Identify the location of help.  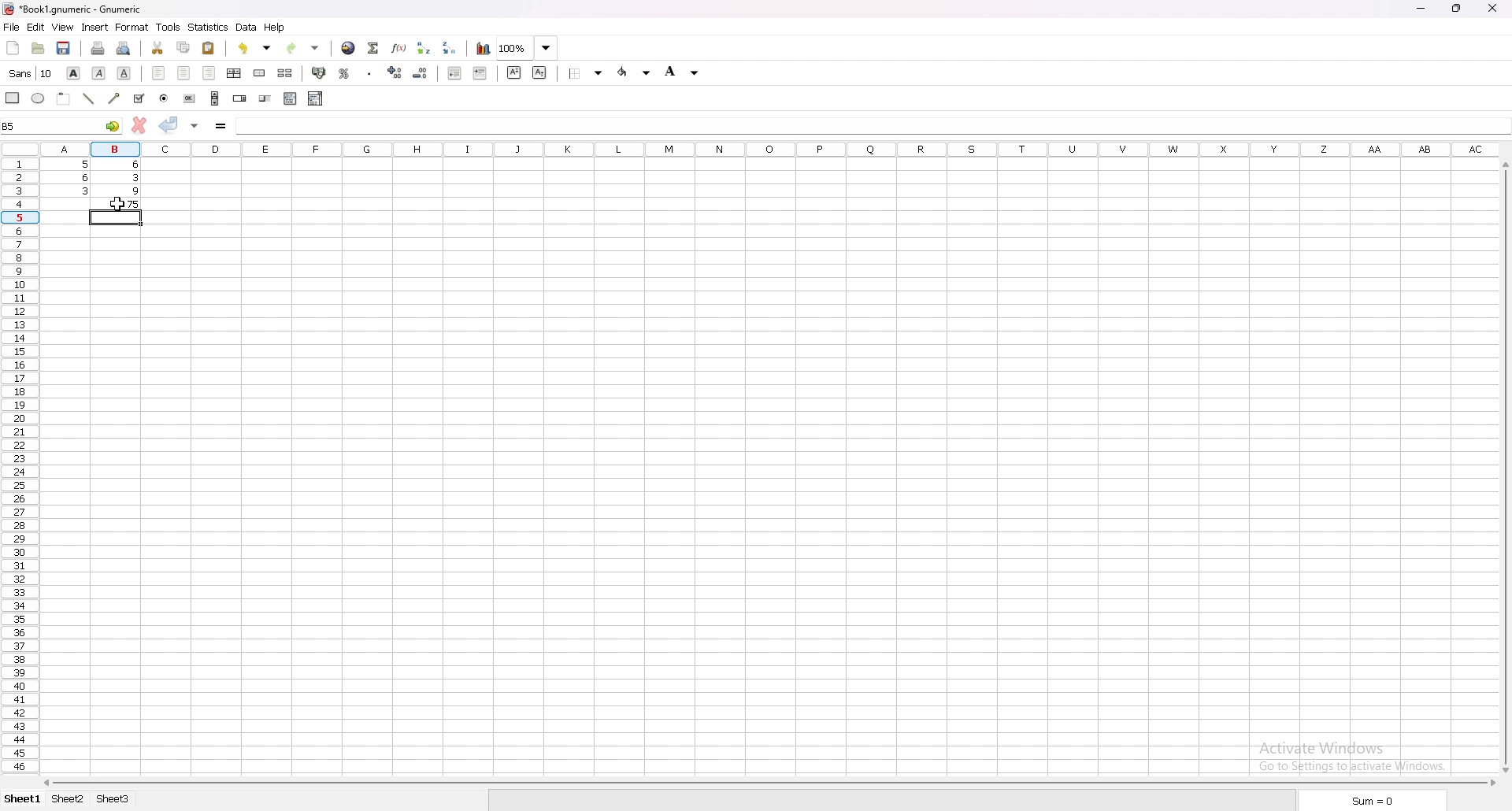
(275, 28).